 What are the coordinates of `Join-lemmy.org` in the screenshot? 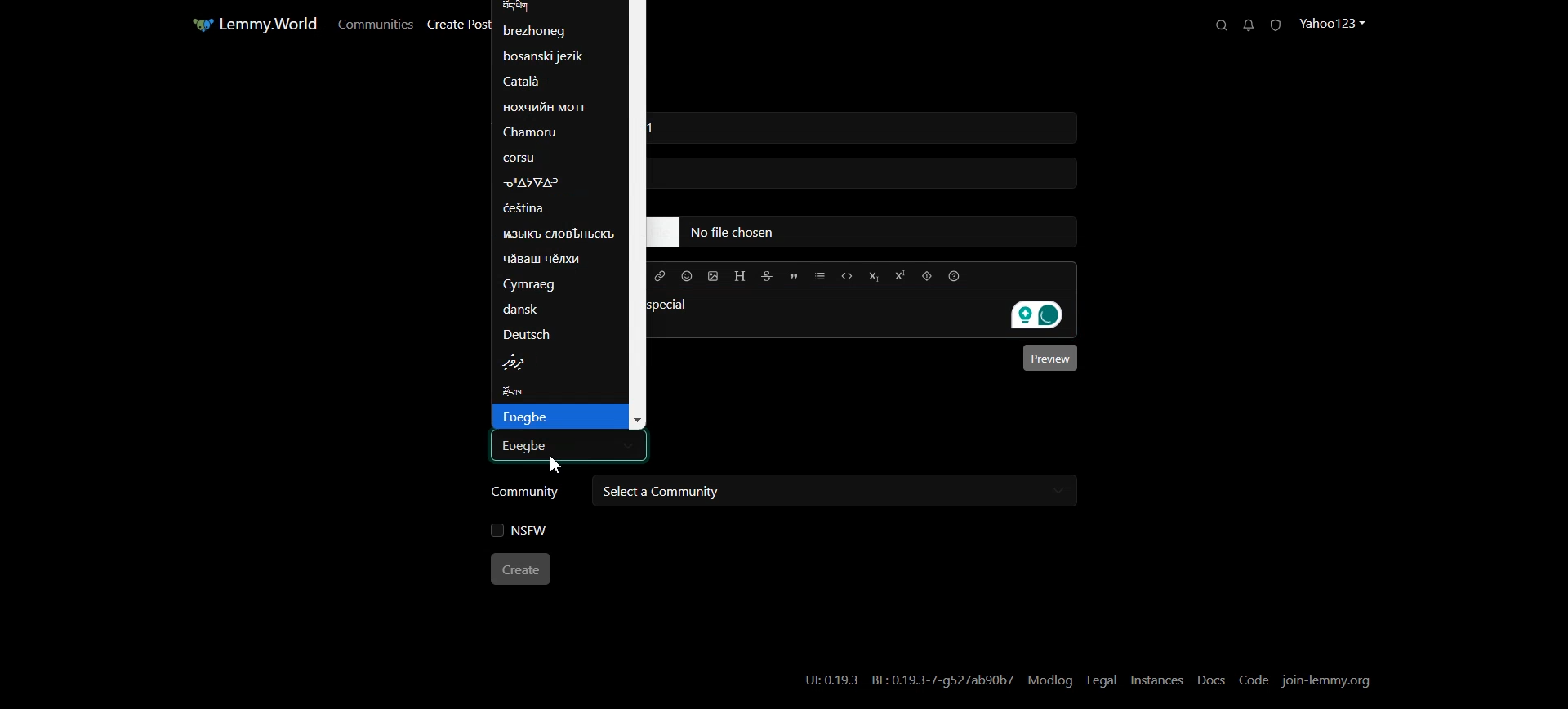 It's located at (1329, 680).